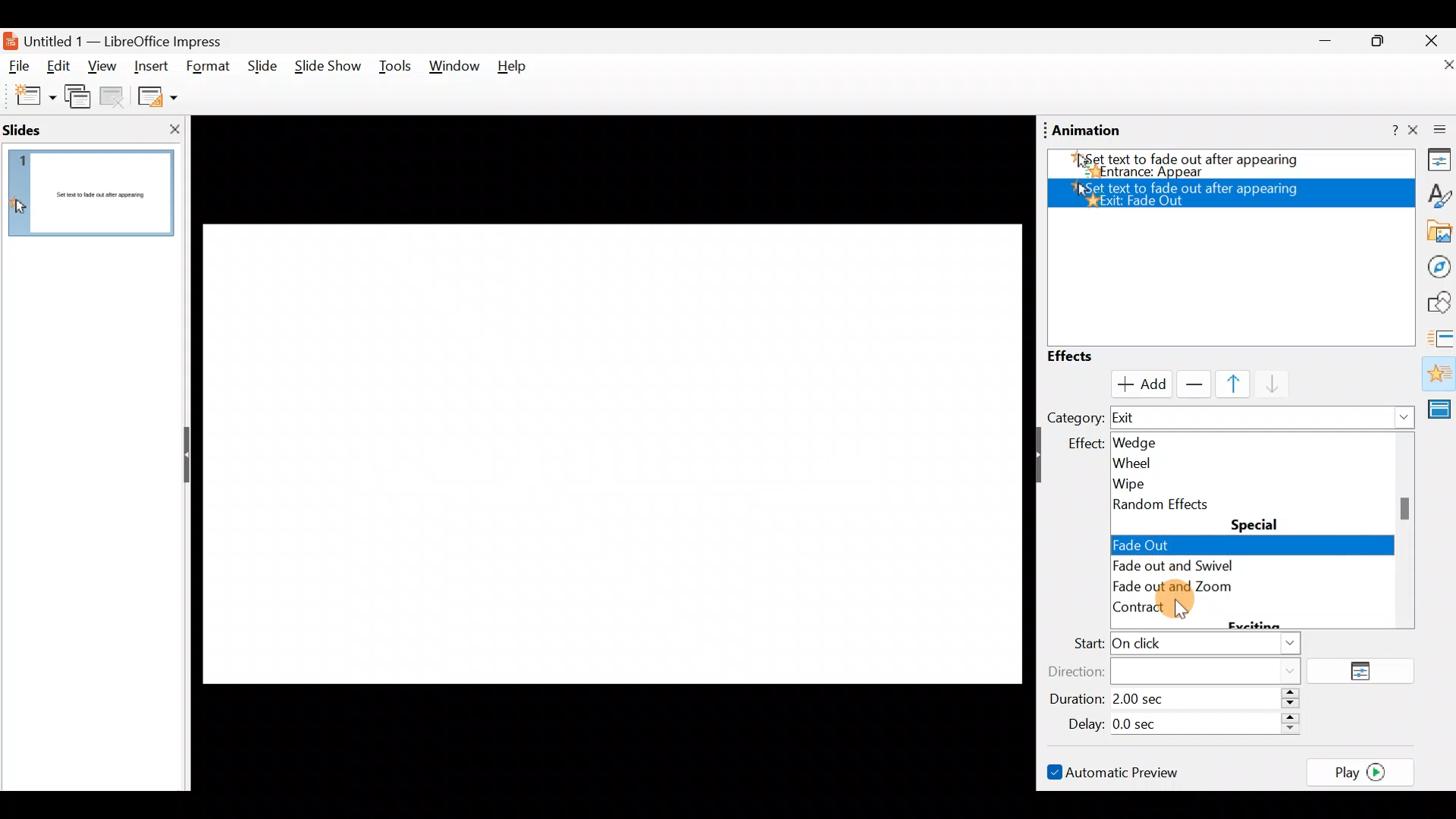 The height and width of the screenshot is (819, 1456). What do you see at coordinates (92, 196) in the screenshot?
I see `Slide pane` at bounding box center [92, 196].